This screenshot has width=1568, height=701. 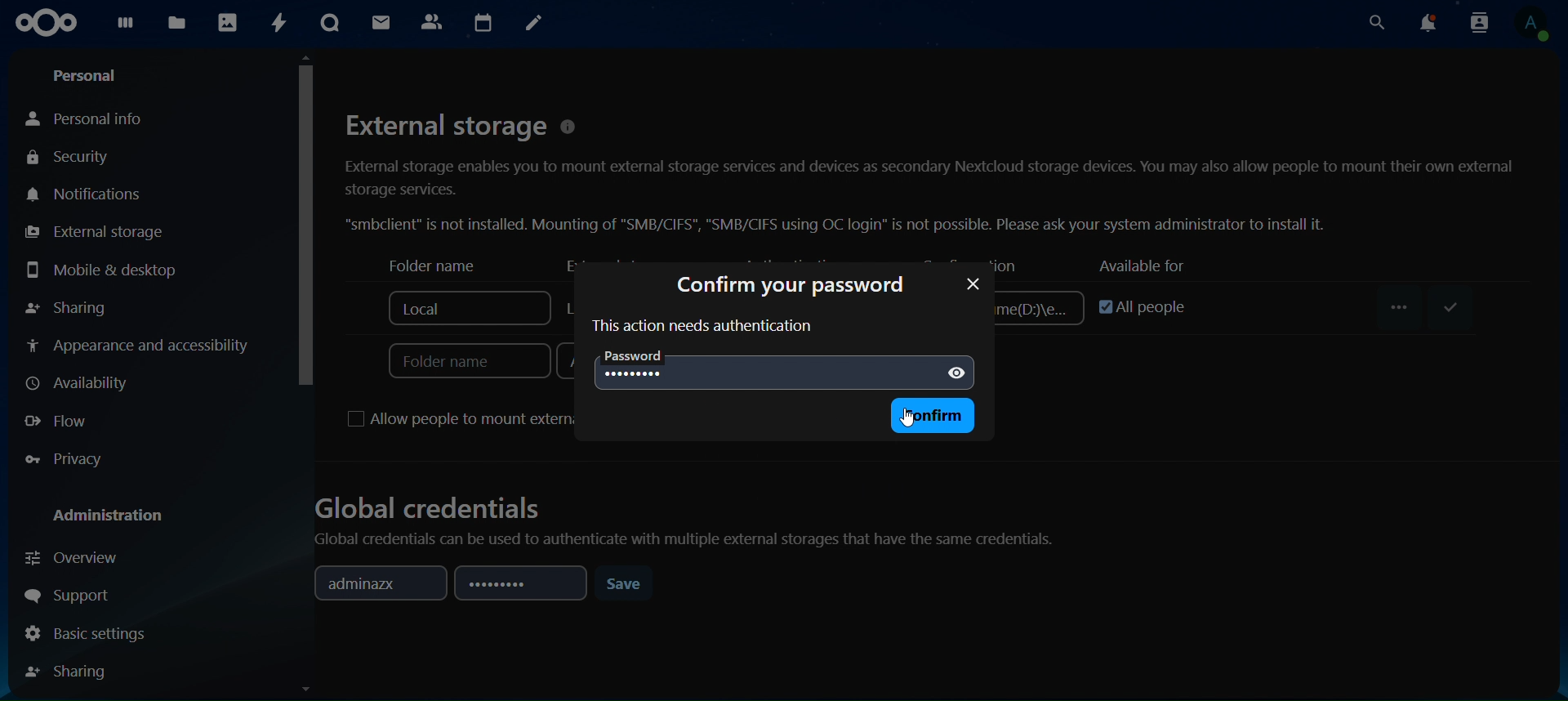 What do you see at coordinates (1446, 308) in the screenshot?
I see `save` at bounding box center [1446, 308].